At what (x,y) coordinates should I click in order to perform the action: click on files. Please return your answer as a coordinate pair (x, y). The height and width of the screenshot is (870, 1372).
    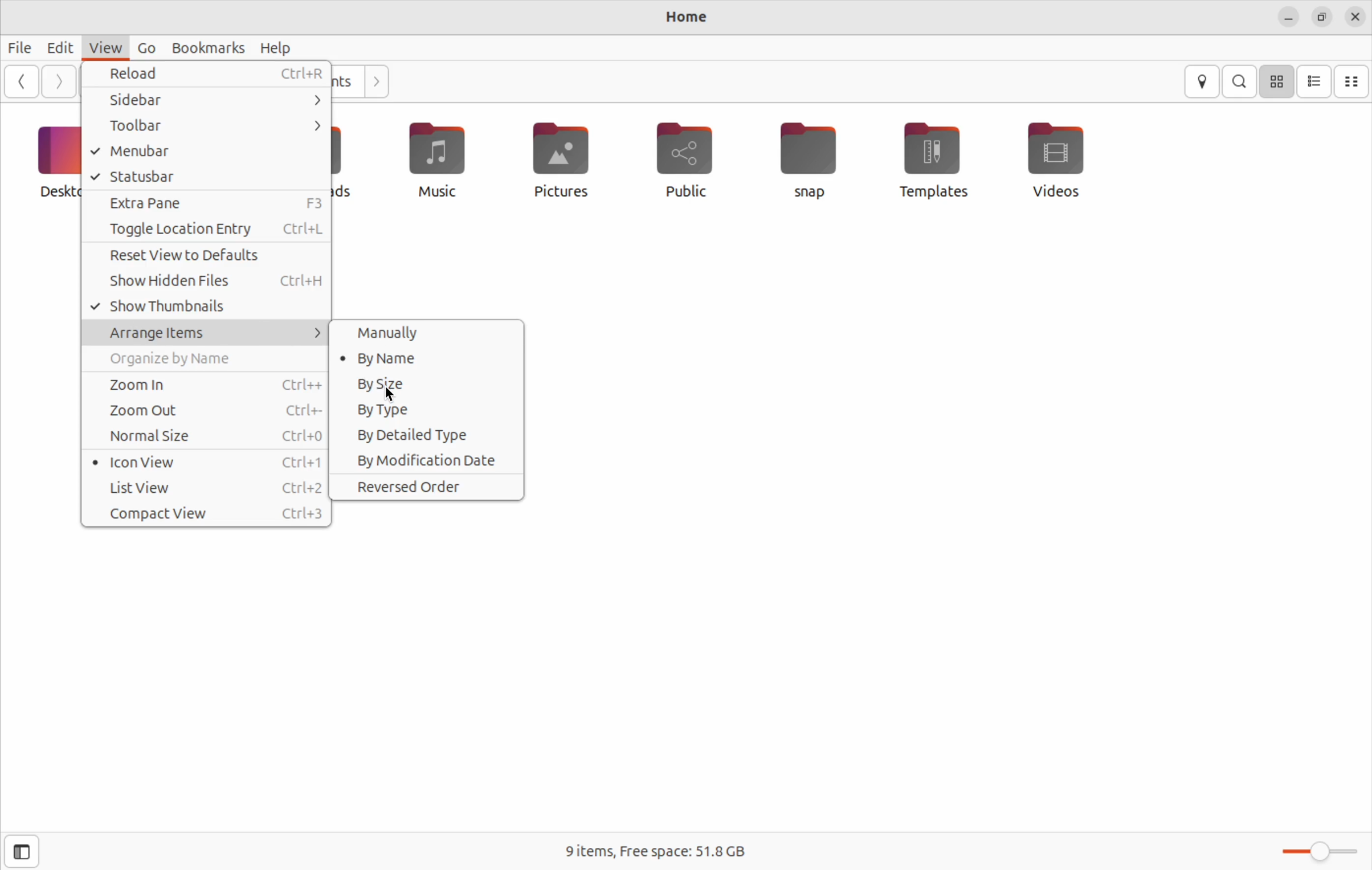
    Looking at the image, I should click on (22, 47).